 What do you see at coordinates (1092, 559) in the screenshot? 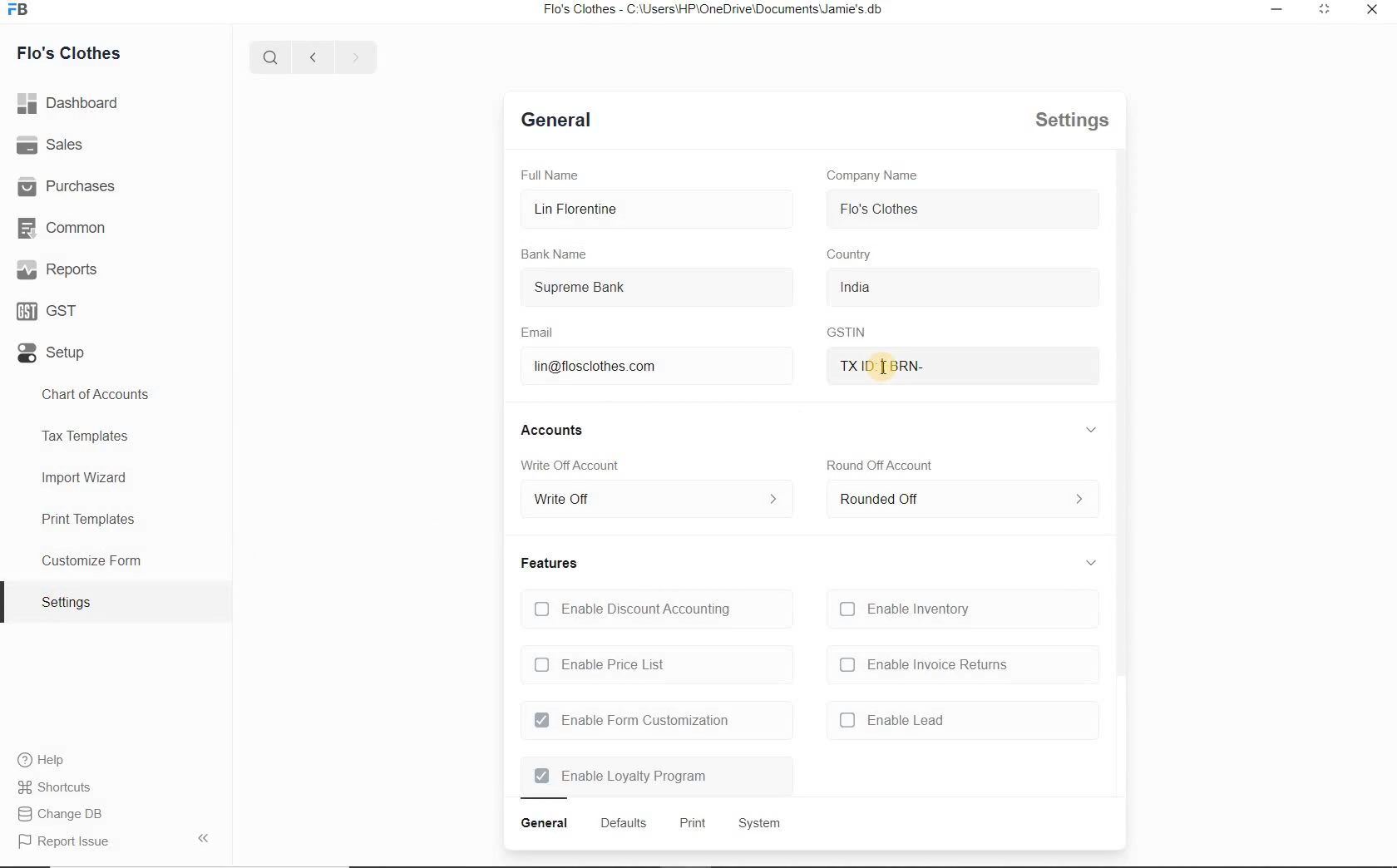
I see `collapse` at bounding box center [1092, 559].